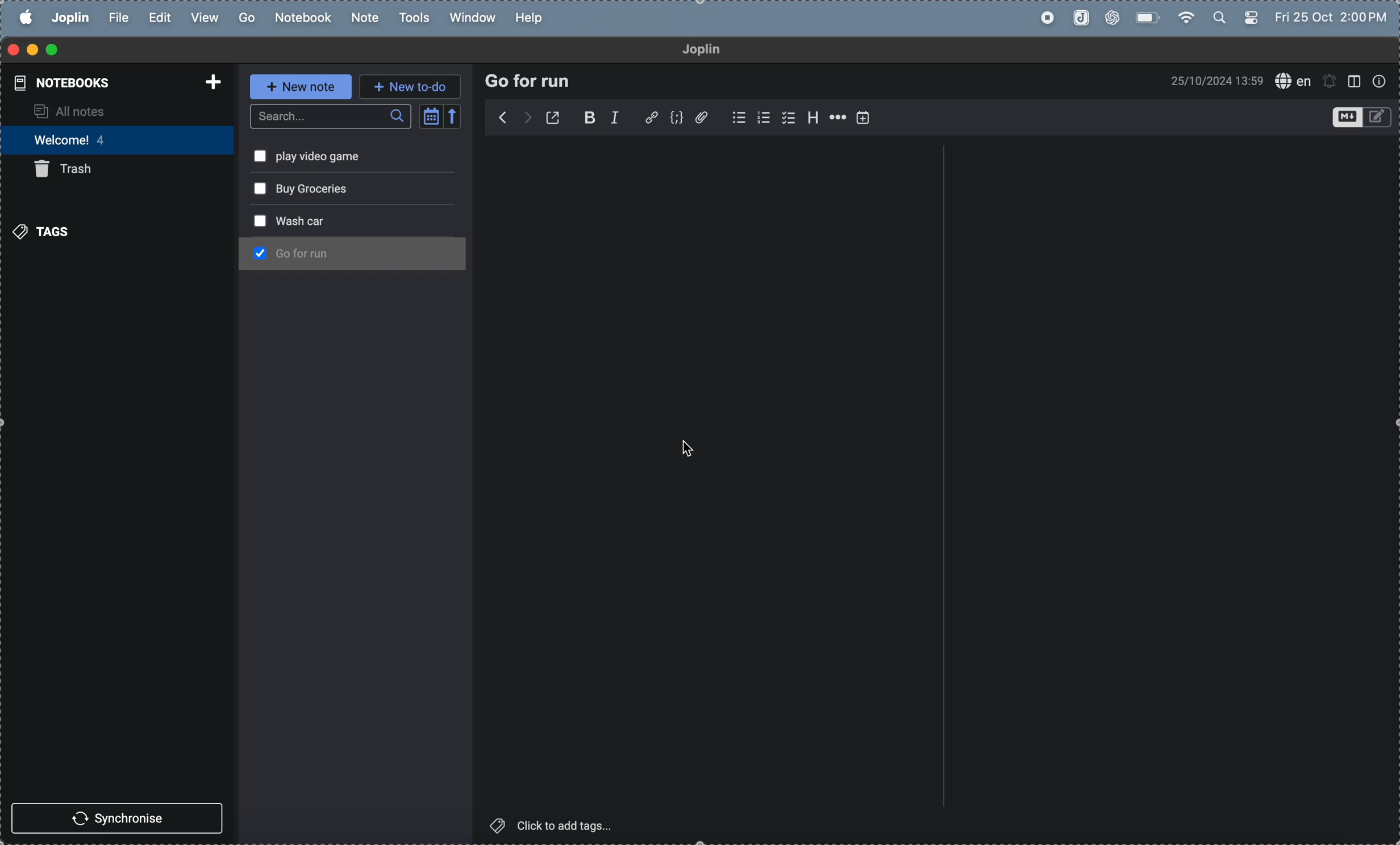  What do you see at coordinates (109, 140) in the screenshot?
I see `welcomes` at bounding box center [109, 140].